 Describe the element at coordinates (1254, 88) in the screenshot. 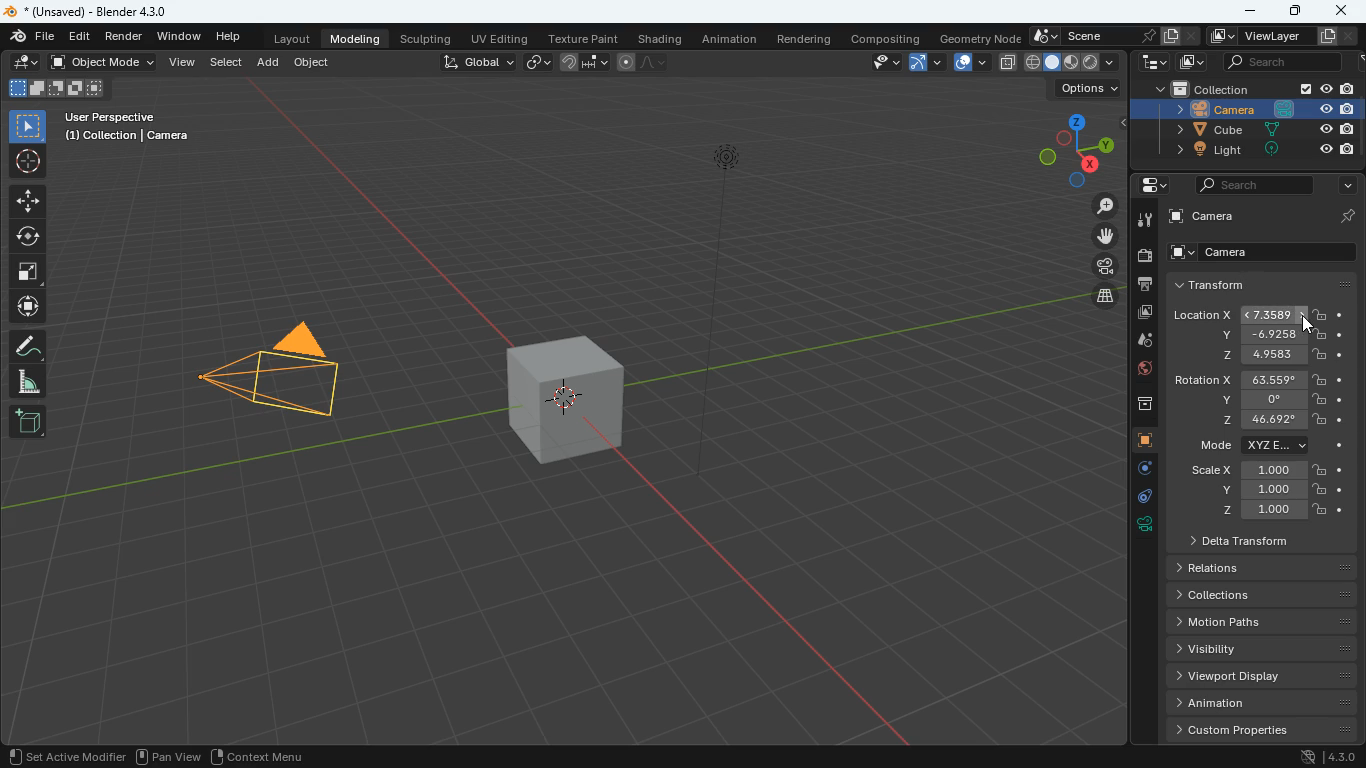

I see `collection` at that location.